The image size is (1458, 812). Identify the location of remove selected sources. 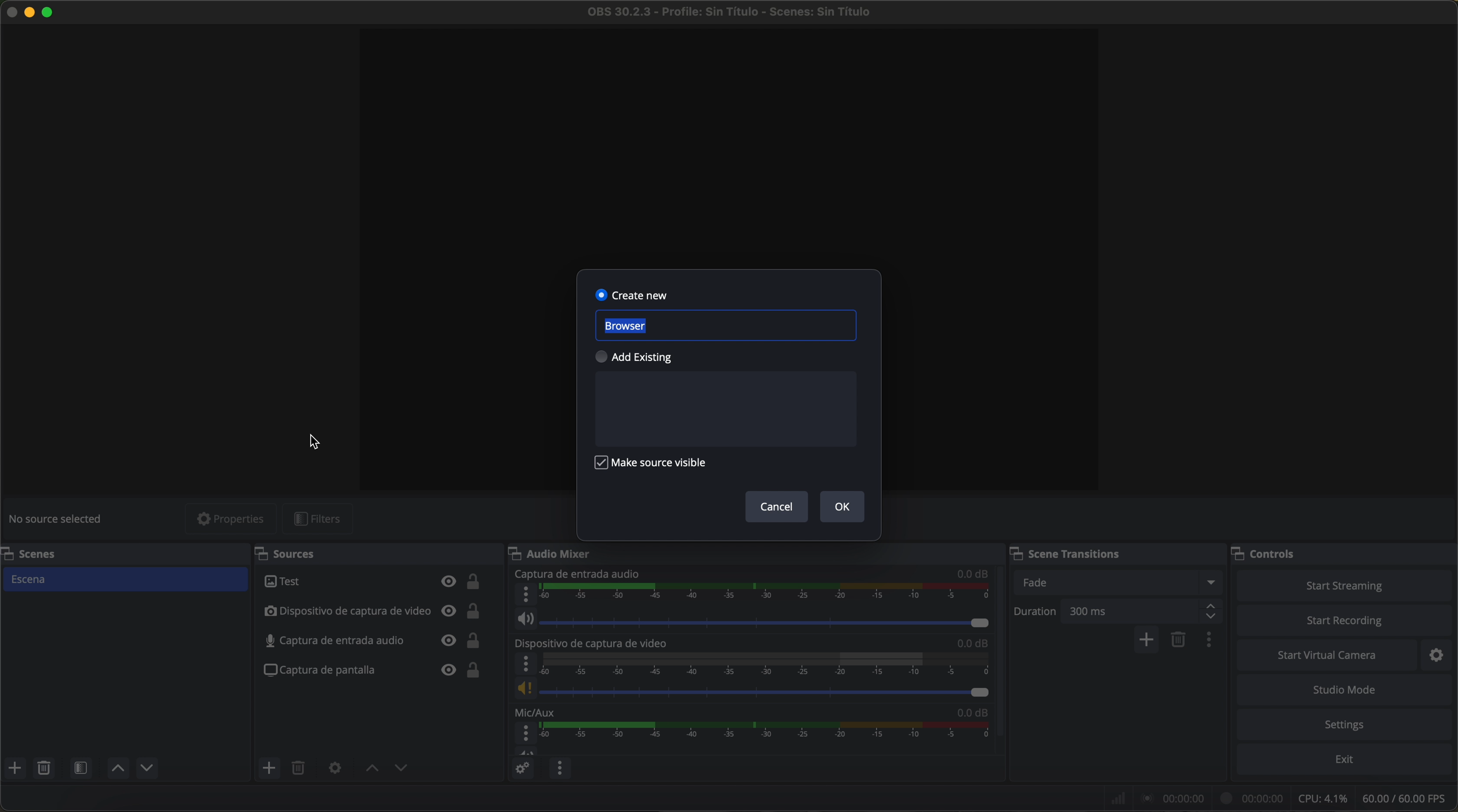
(301, 769).